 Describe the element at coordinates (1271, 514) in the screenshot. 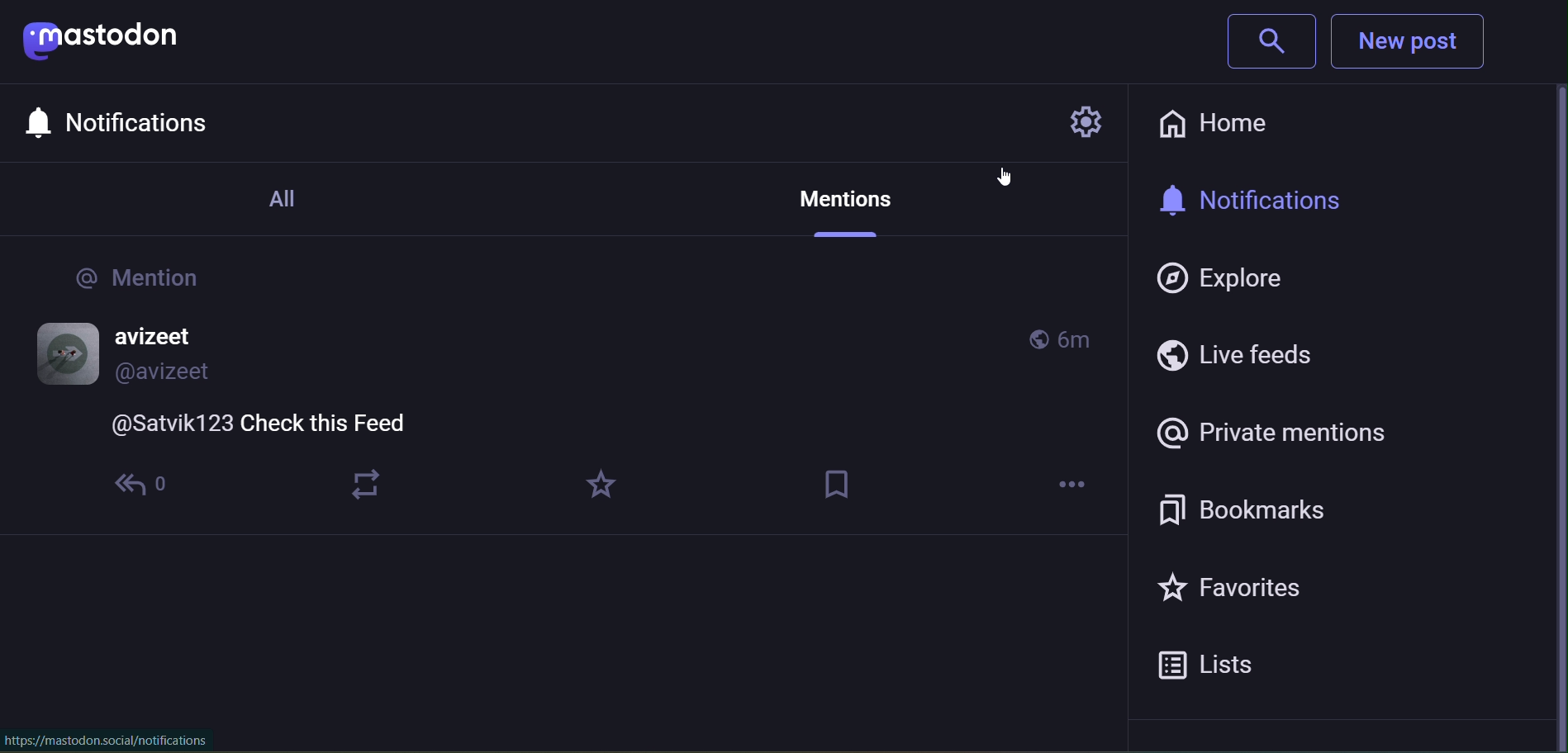

I see `Bookmarks` at that location.